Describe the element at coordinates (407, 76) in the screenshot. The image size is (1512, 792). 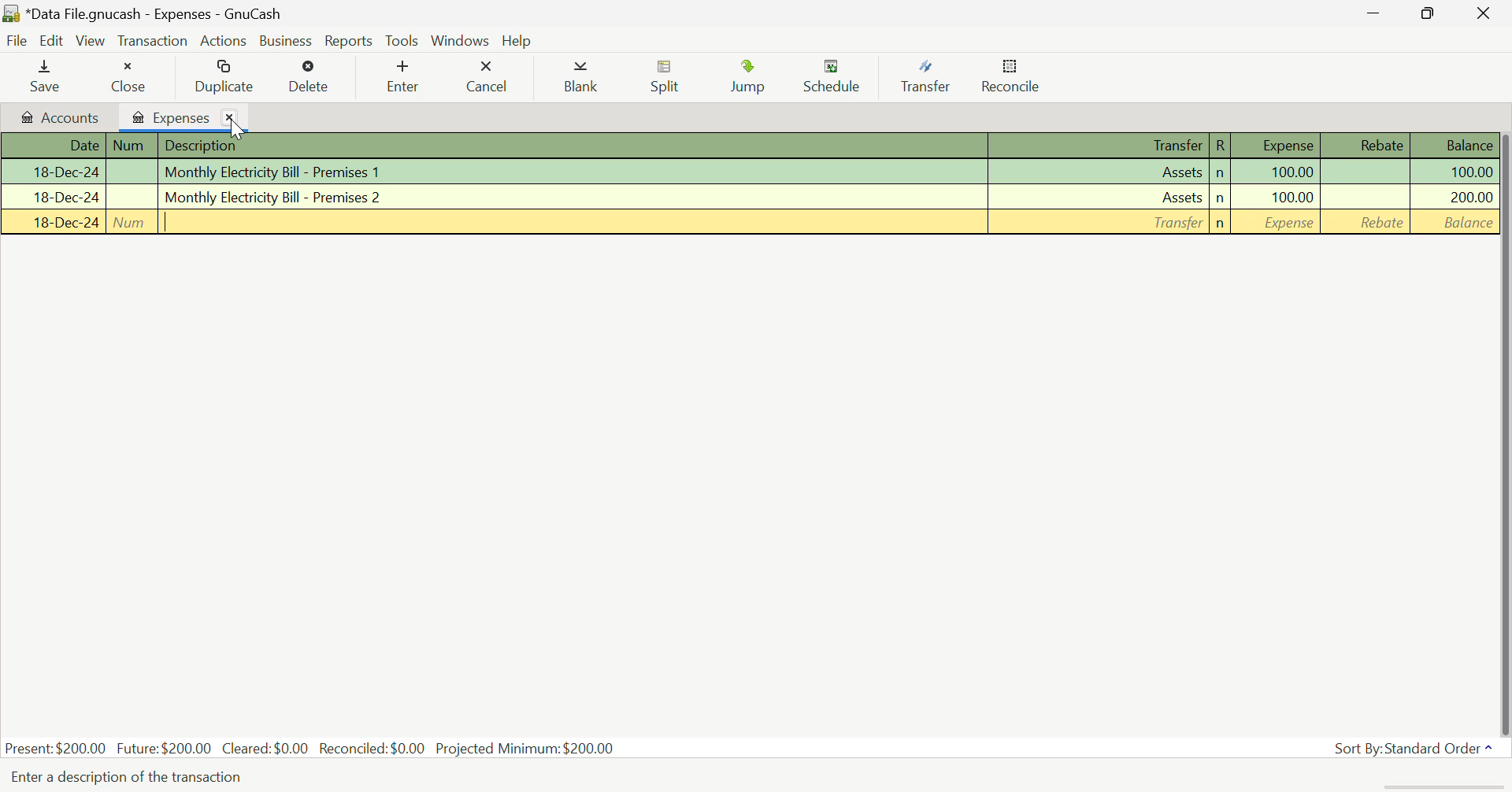
I see `Enter` at that location.